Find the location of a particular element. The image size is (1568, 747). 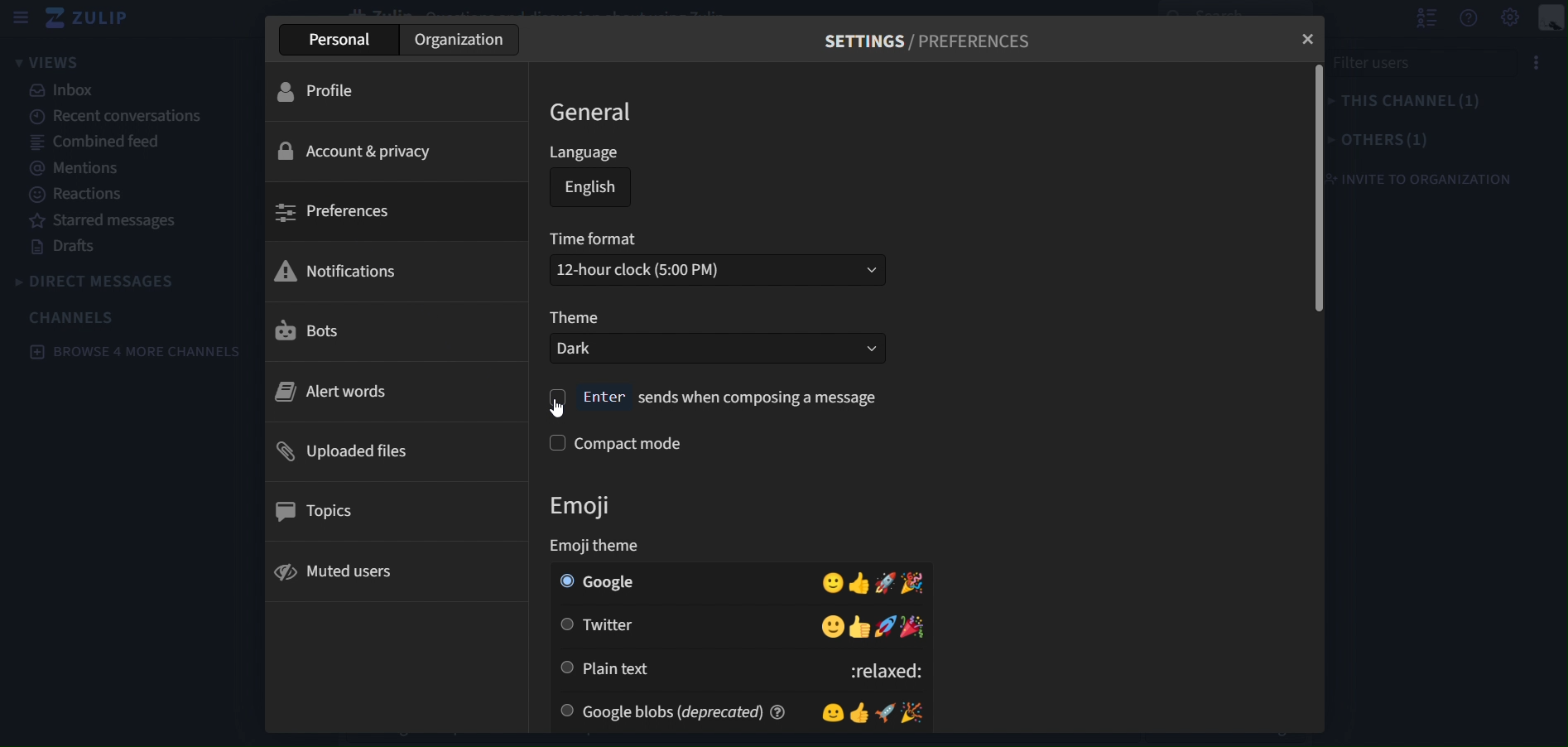

others(1) is located at coordinates (1382, 139).